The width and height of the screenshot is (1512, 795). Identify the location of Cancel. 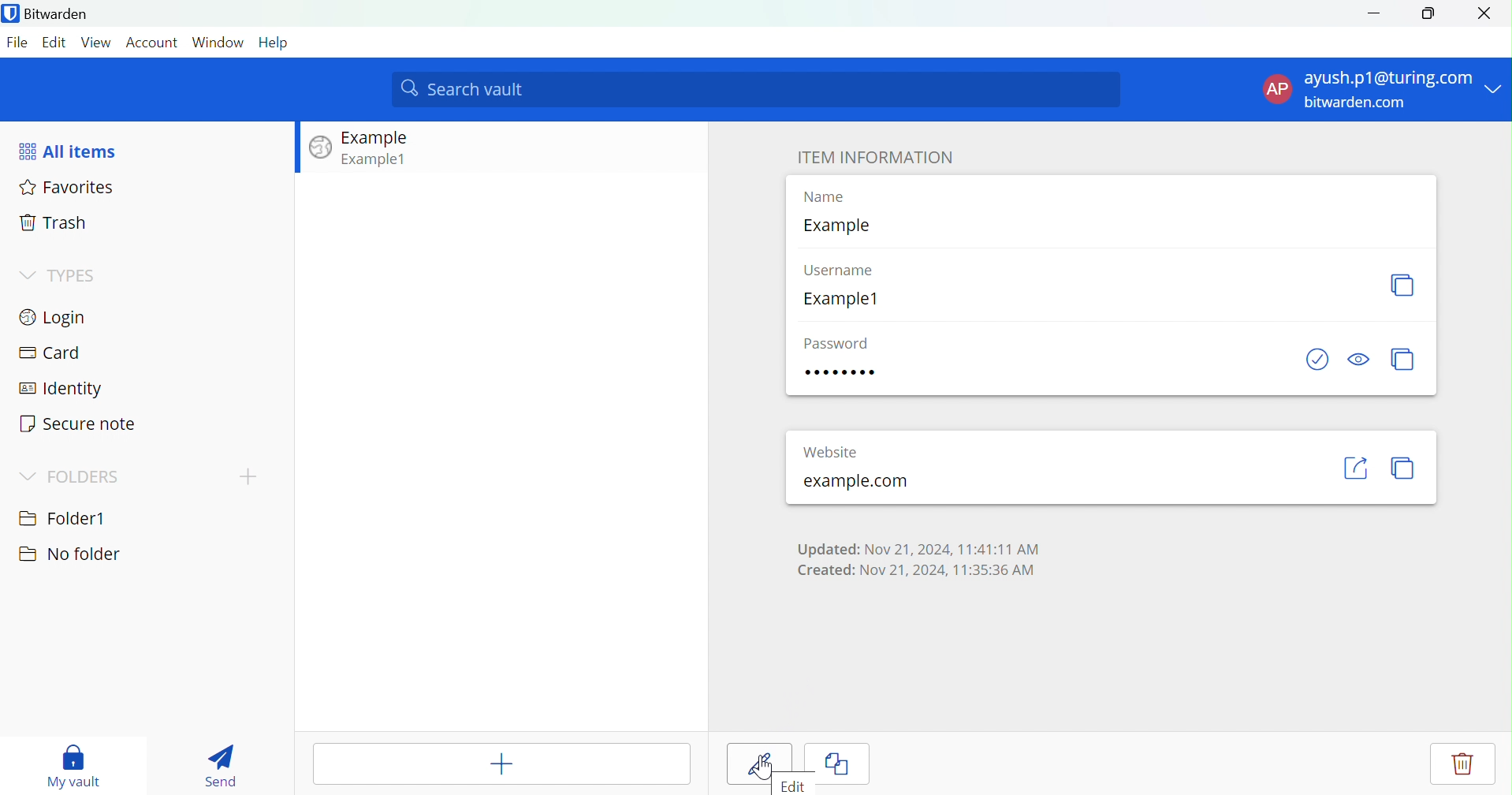
(851, 766).